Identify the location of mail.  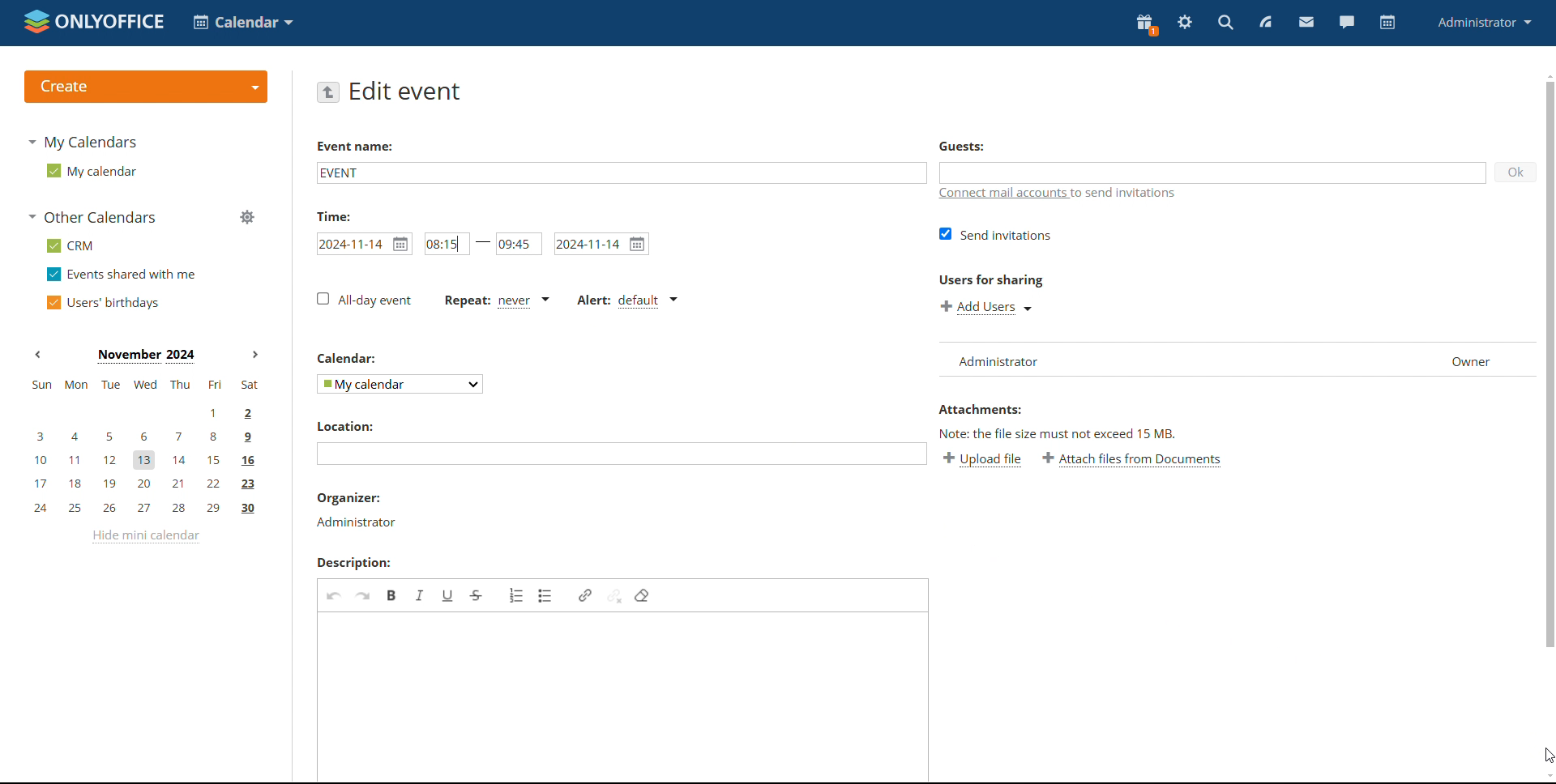
(1306, 22).